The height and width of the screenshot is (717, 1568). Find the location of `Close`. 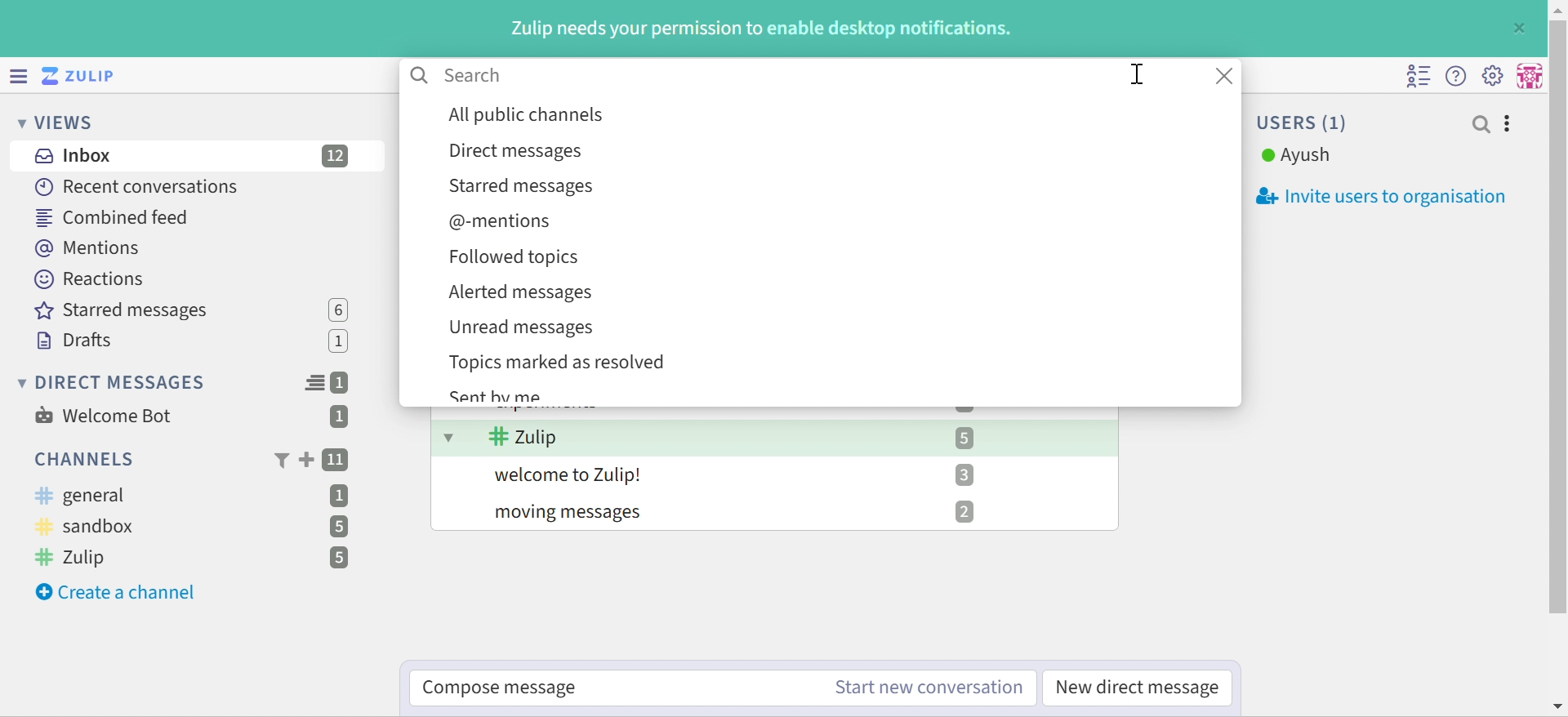

Close is located at coordinates (1521, 27).